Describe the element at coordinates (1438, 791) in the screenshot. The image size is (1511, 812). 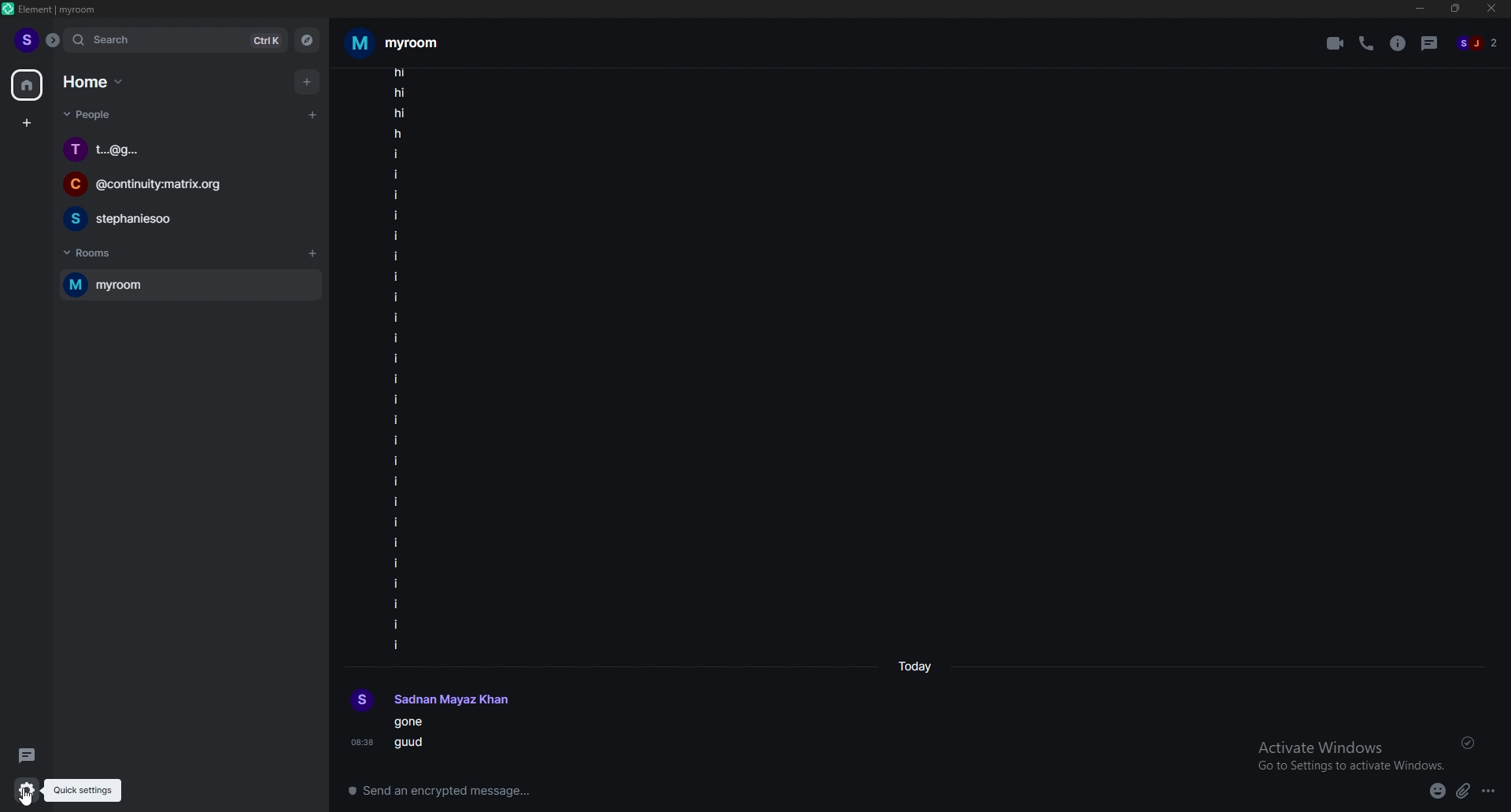
I see `emoji` at that location.